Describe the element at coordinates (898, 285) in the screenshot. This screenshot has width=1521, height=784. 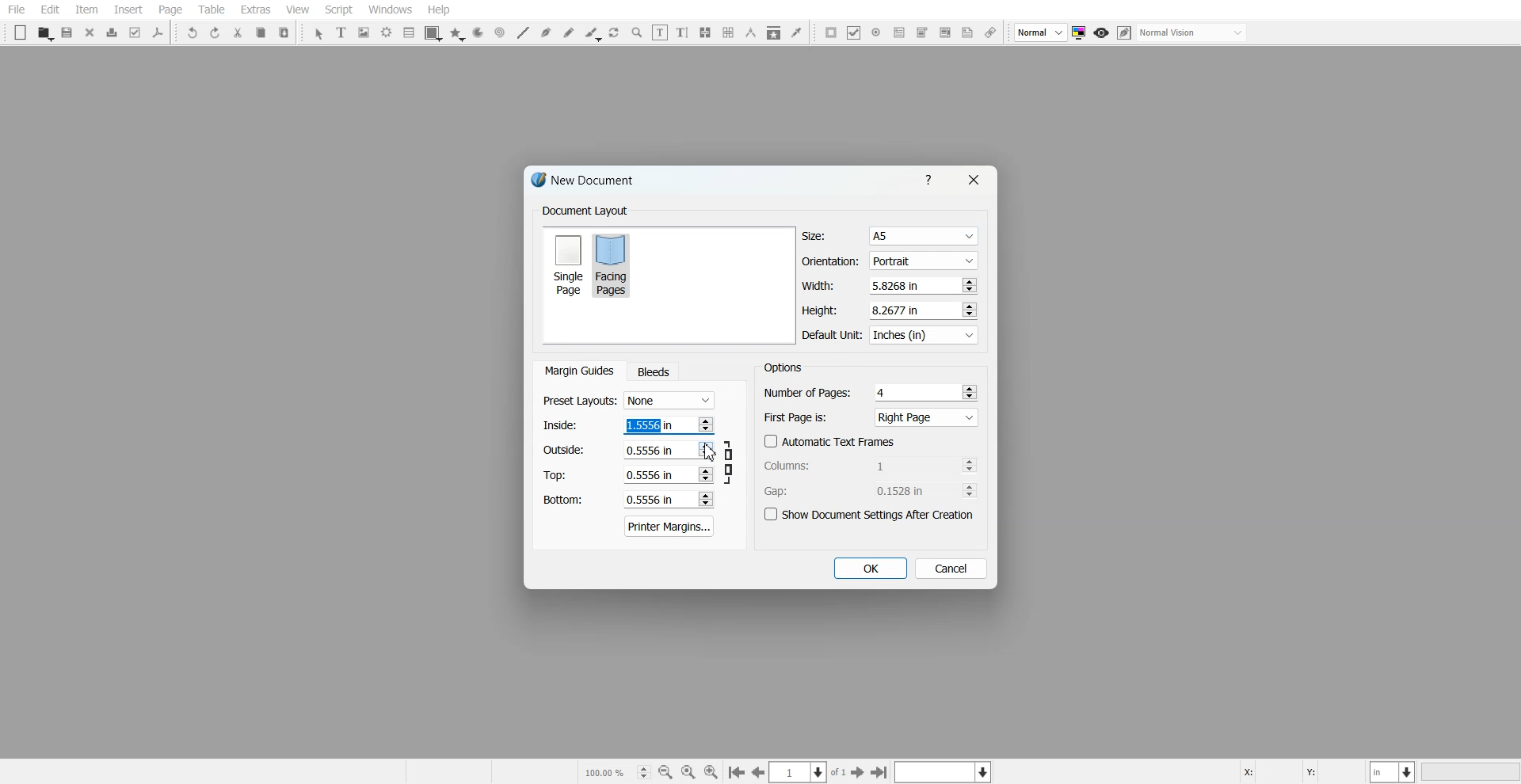
I see `5.8268 in` at that location.